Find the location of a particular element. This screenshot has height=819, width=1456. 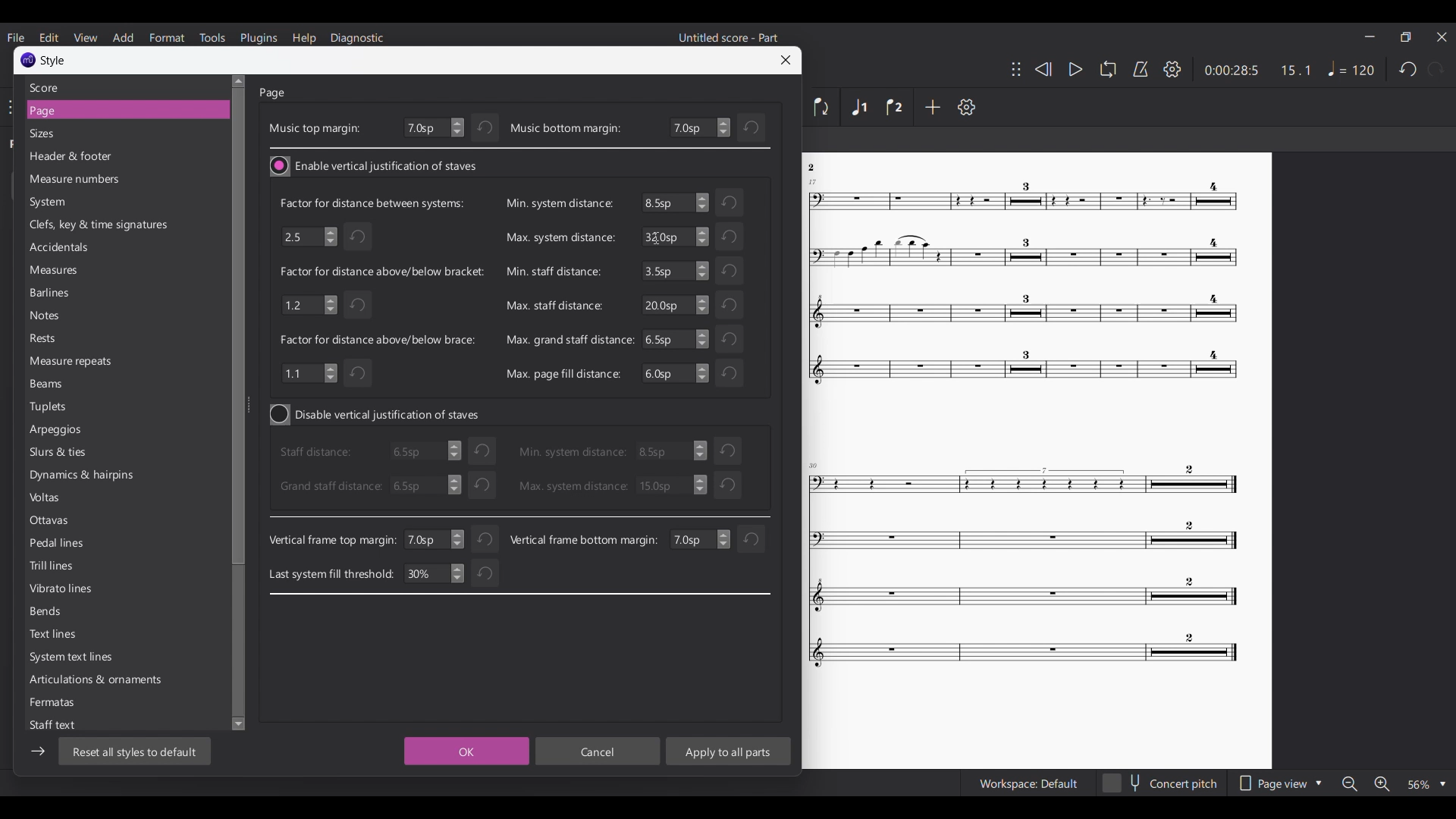

Bends is located at coordinates (80, 613).